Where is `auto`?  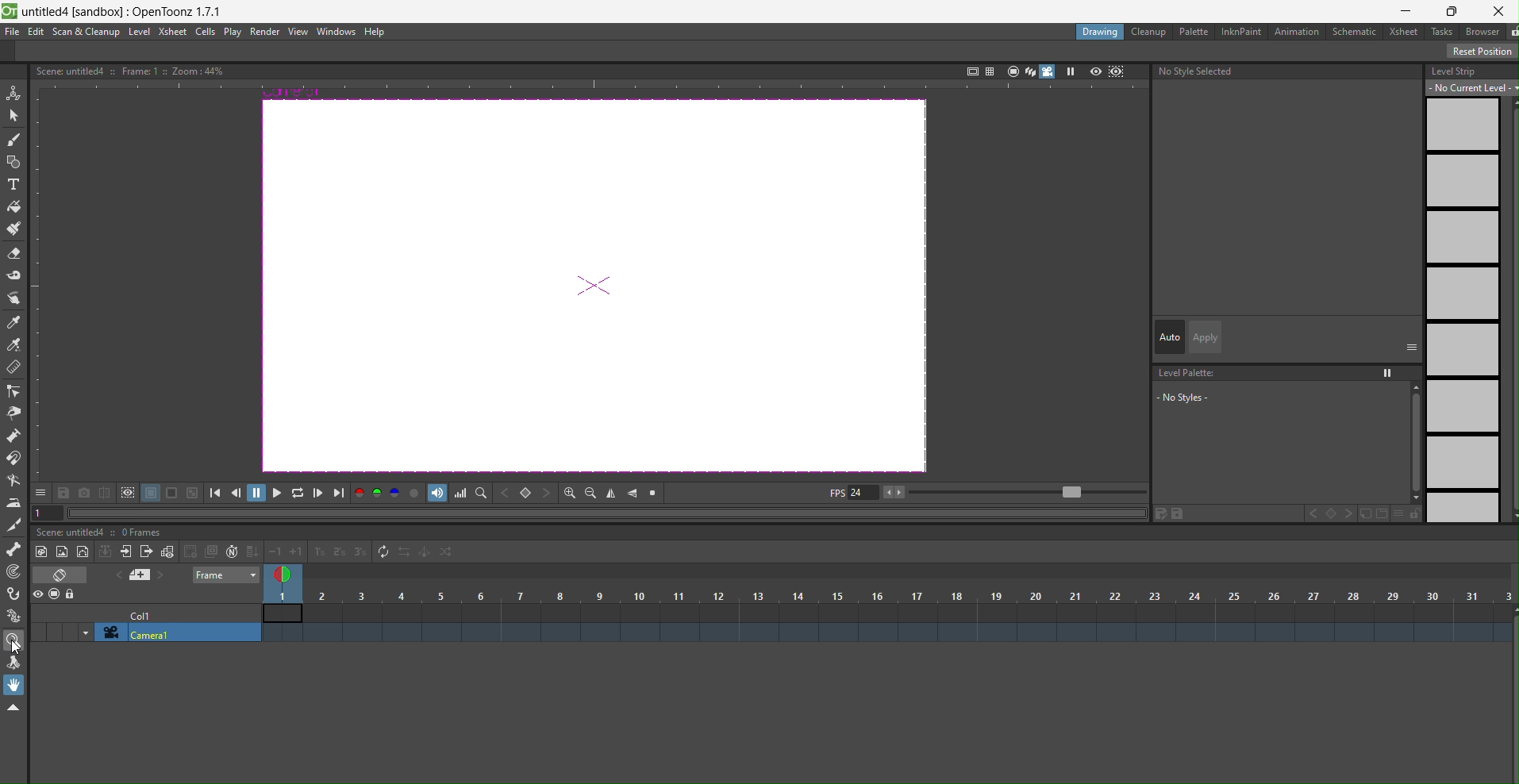 auto is located at coordinates (1169, 336).